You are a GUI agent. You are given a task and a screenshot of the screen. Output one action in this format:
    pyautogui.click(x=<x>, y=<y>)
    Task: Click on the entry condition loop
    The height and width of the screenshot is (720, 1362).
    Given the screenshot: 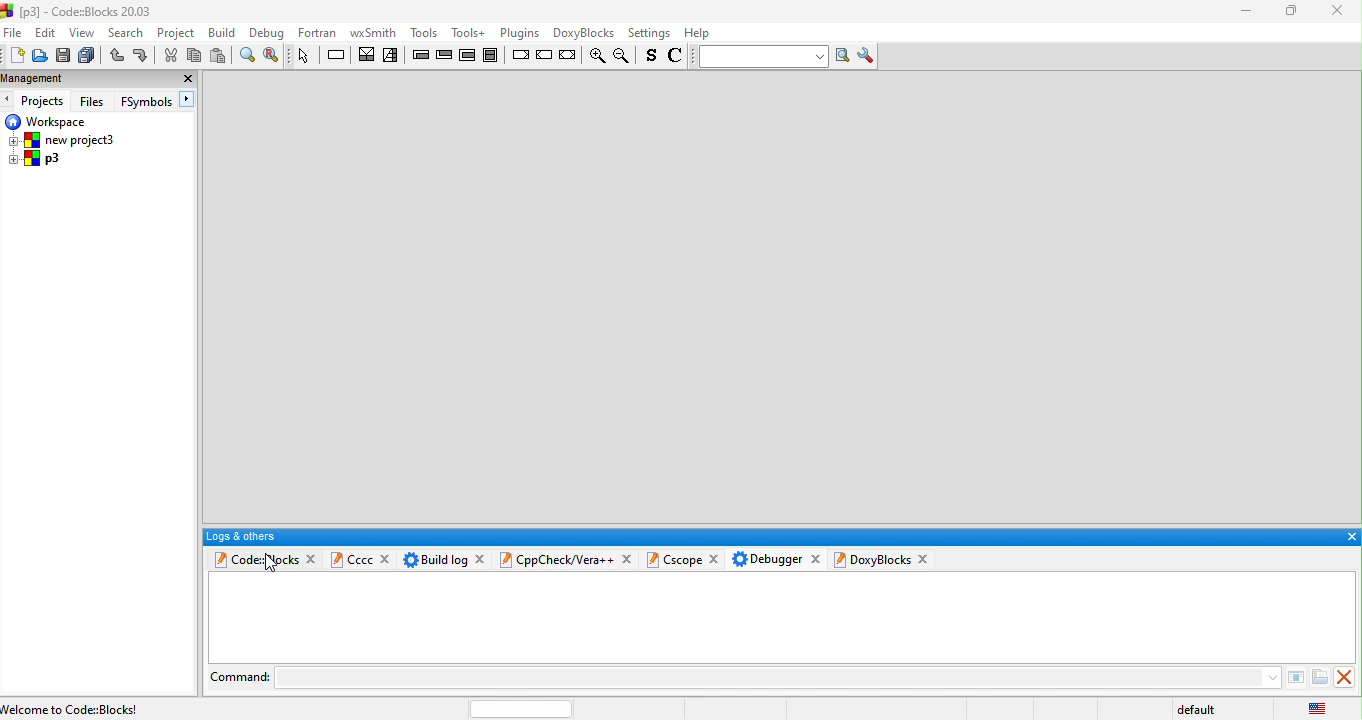 What is the action you would take?
    pyautogui.click(x=420, y=54)
    